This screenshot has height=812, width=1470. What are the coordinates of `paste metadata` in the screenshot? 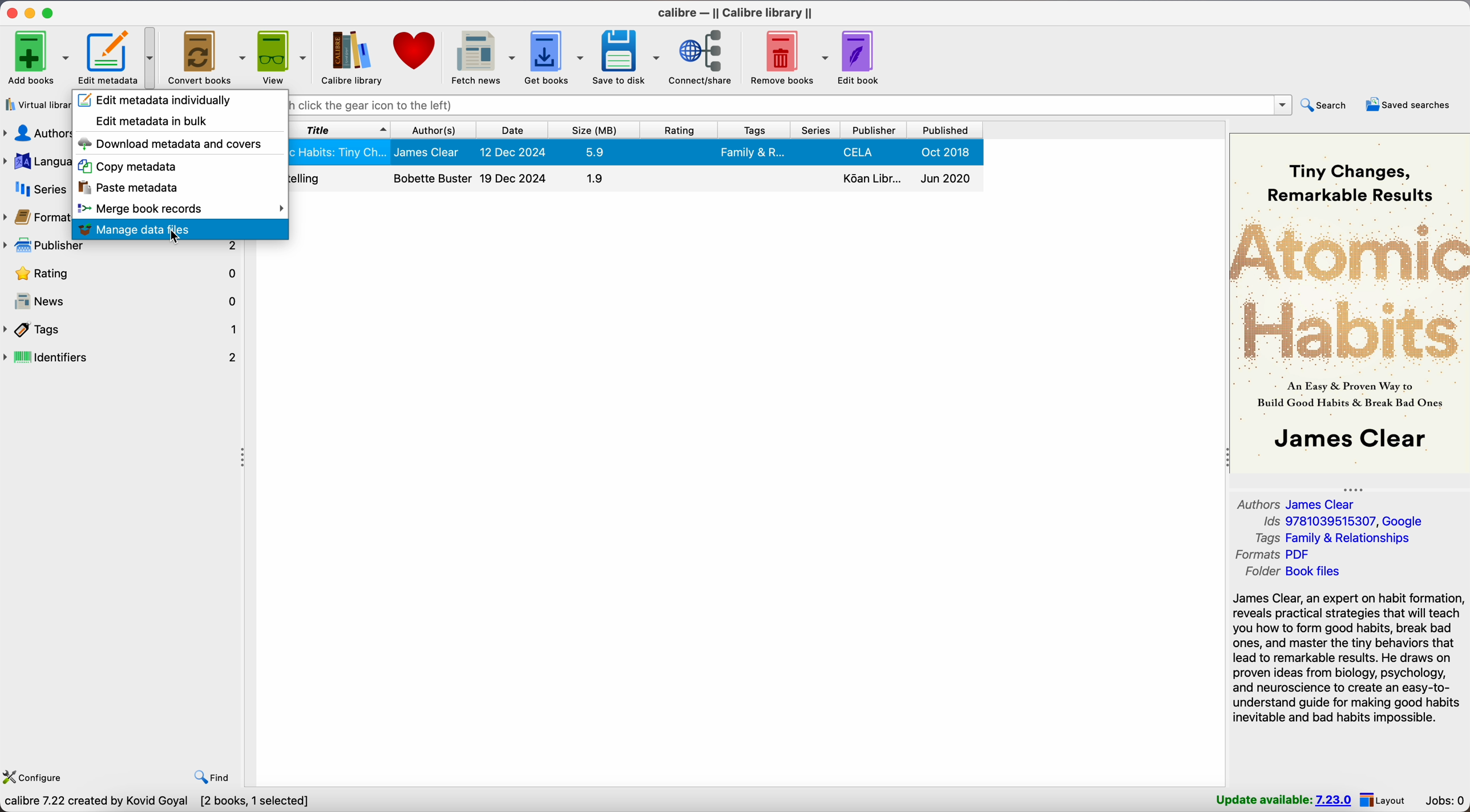 It's located at (130, 190).